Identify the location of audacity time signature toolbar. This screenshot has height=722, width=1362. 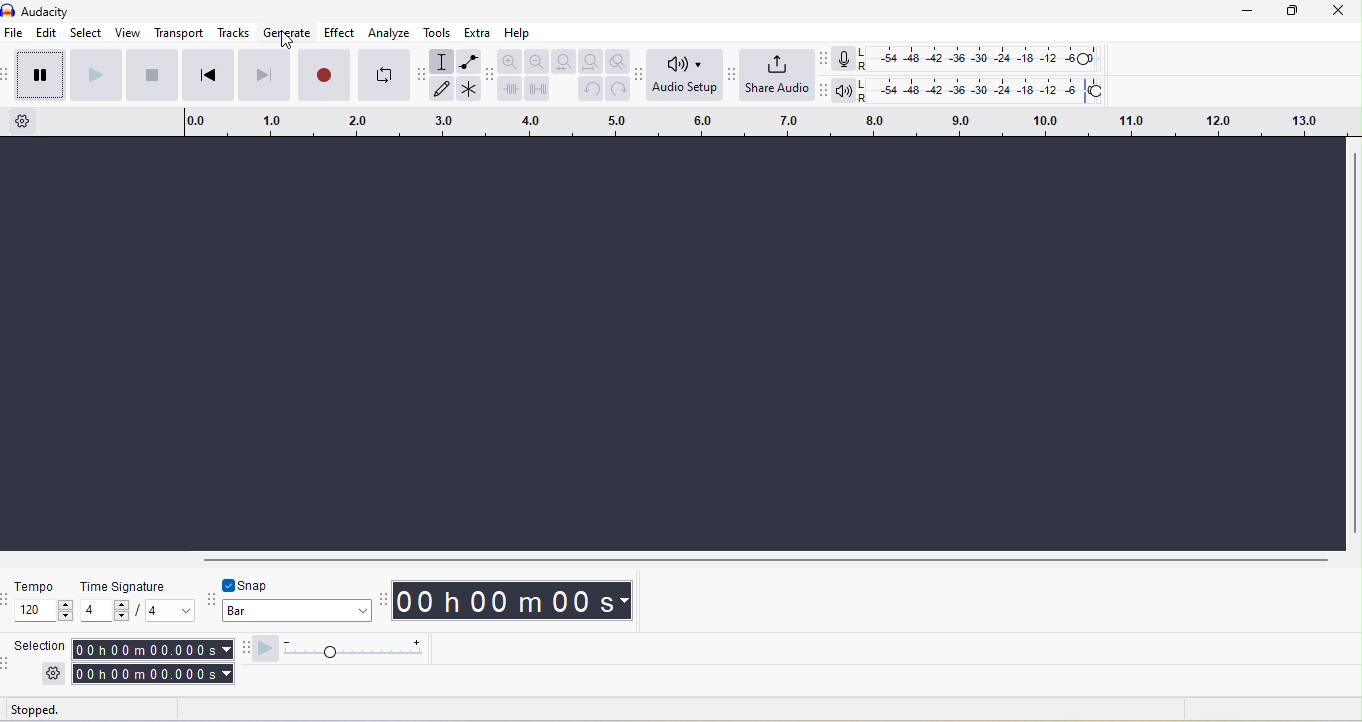
(9, 599).